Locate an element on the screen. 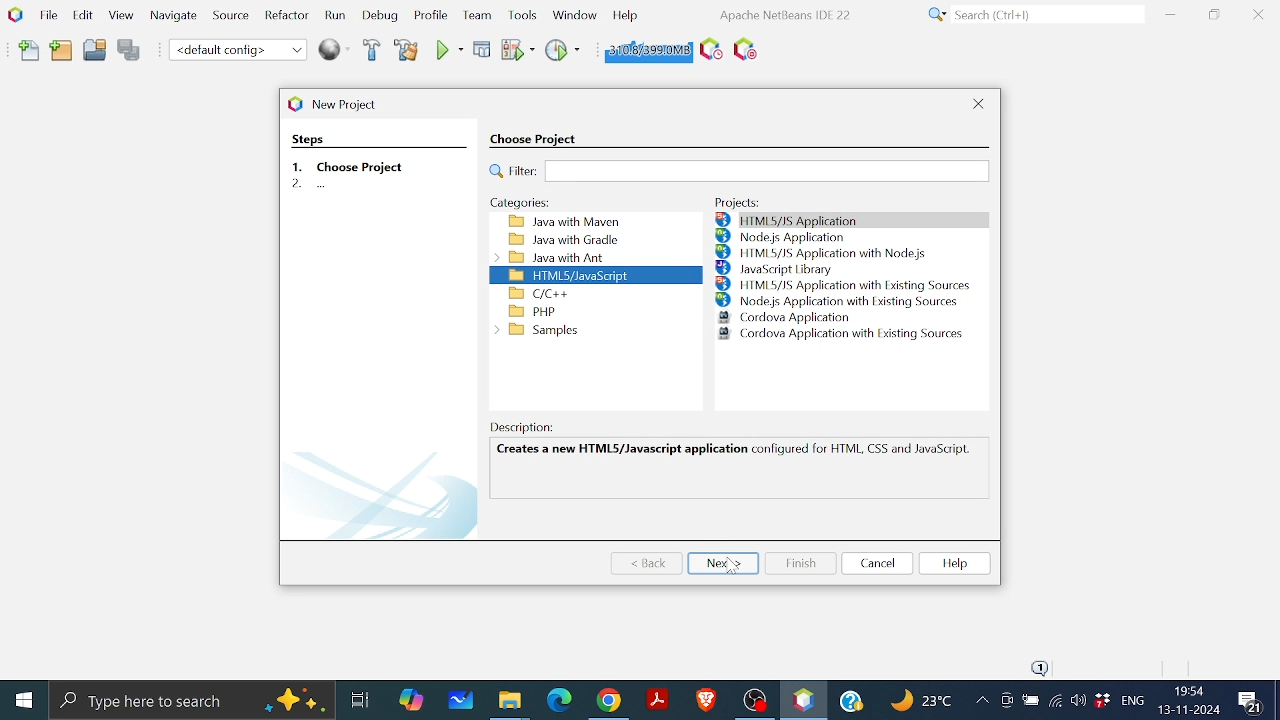 The image size is (1280, 720). Java with ant is located at coordinates (587, 257).